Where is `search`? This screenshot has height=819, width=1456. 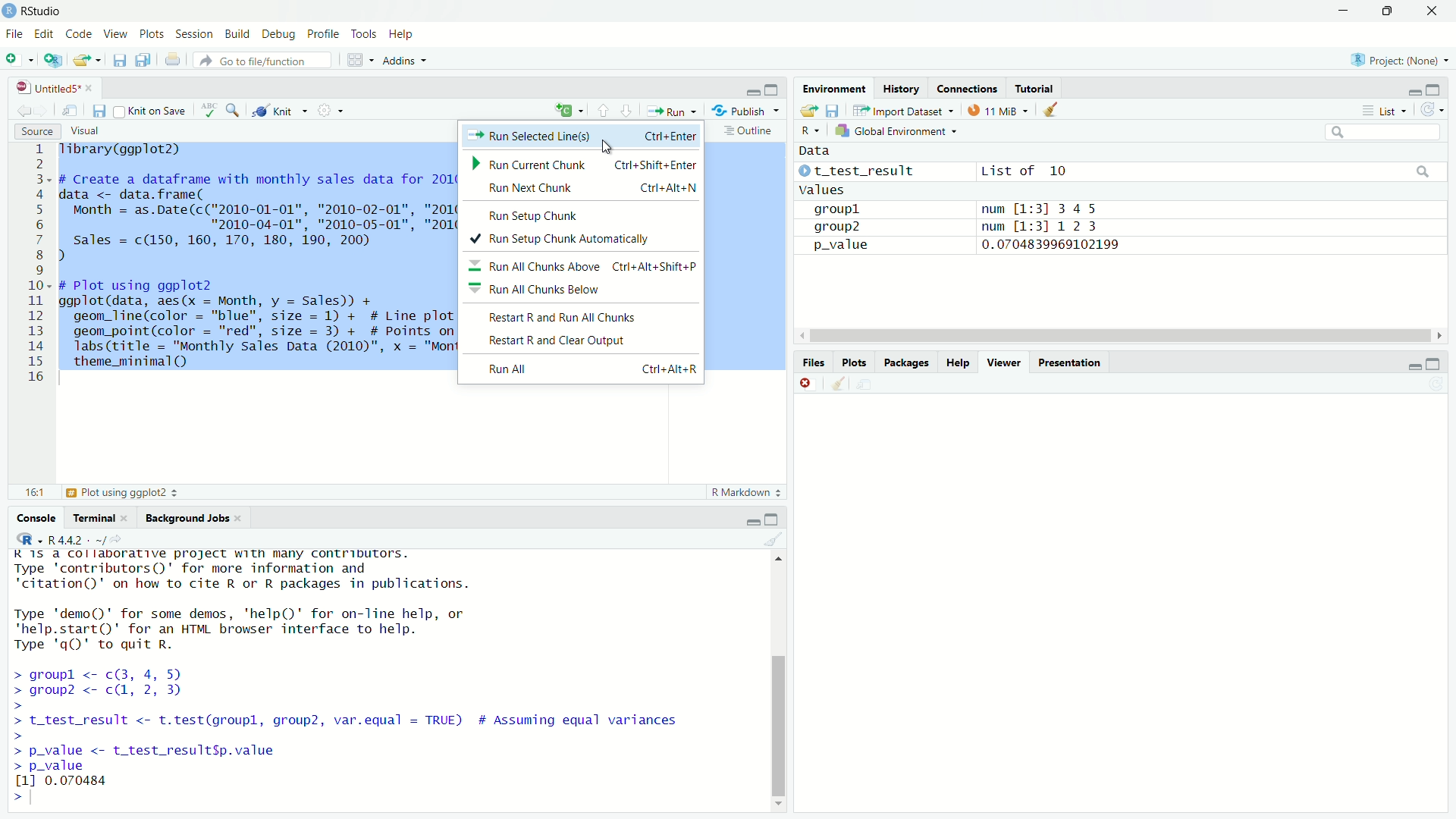
search is located at coordinates (1420, 171).